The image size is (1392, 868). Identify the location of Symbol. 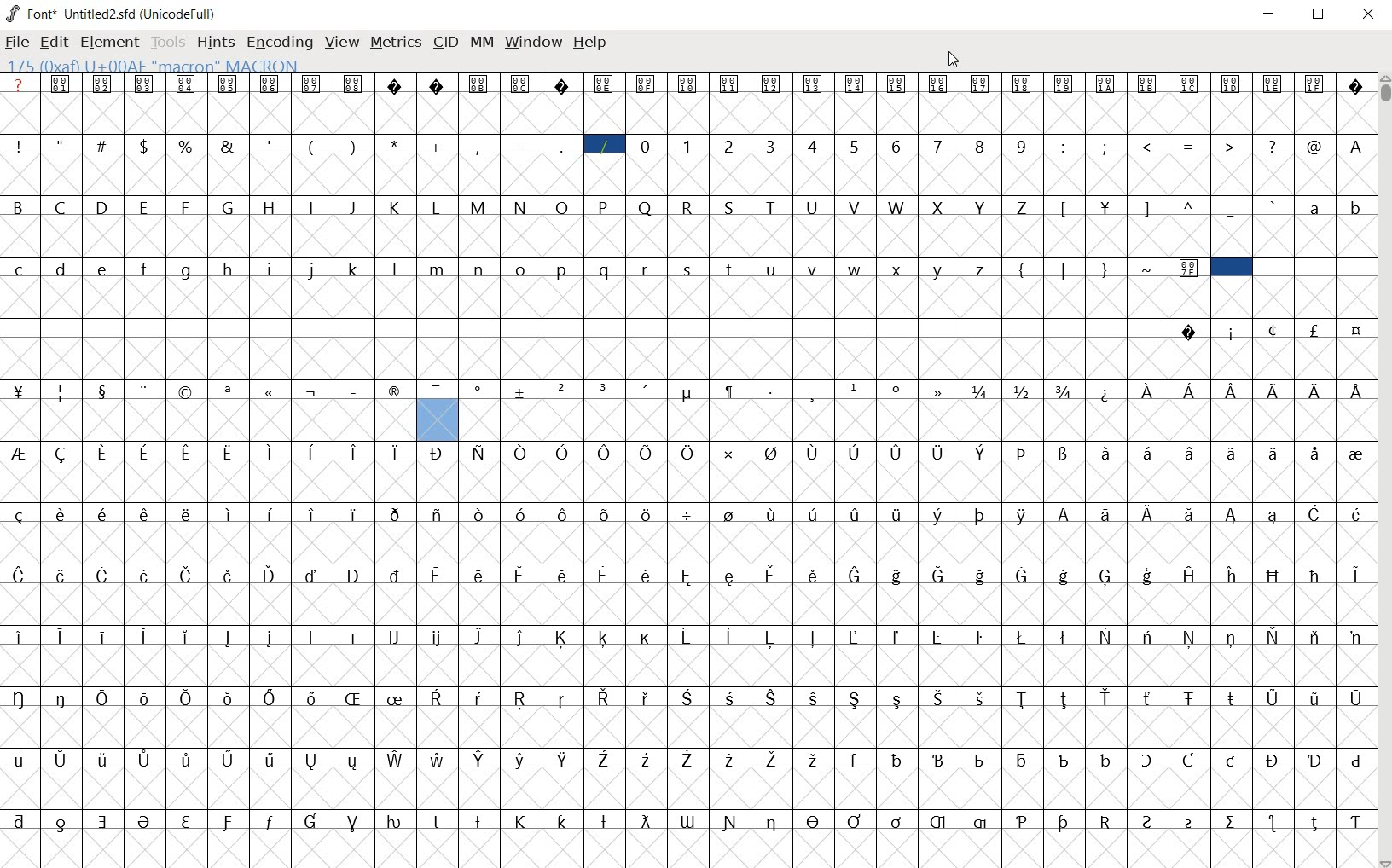
(1314, 329).